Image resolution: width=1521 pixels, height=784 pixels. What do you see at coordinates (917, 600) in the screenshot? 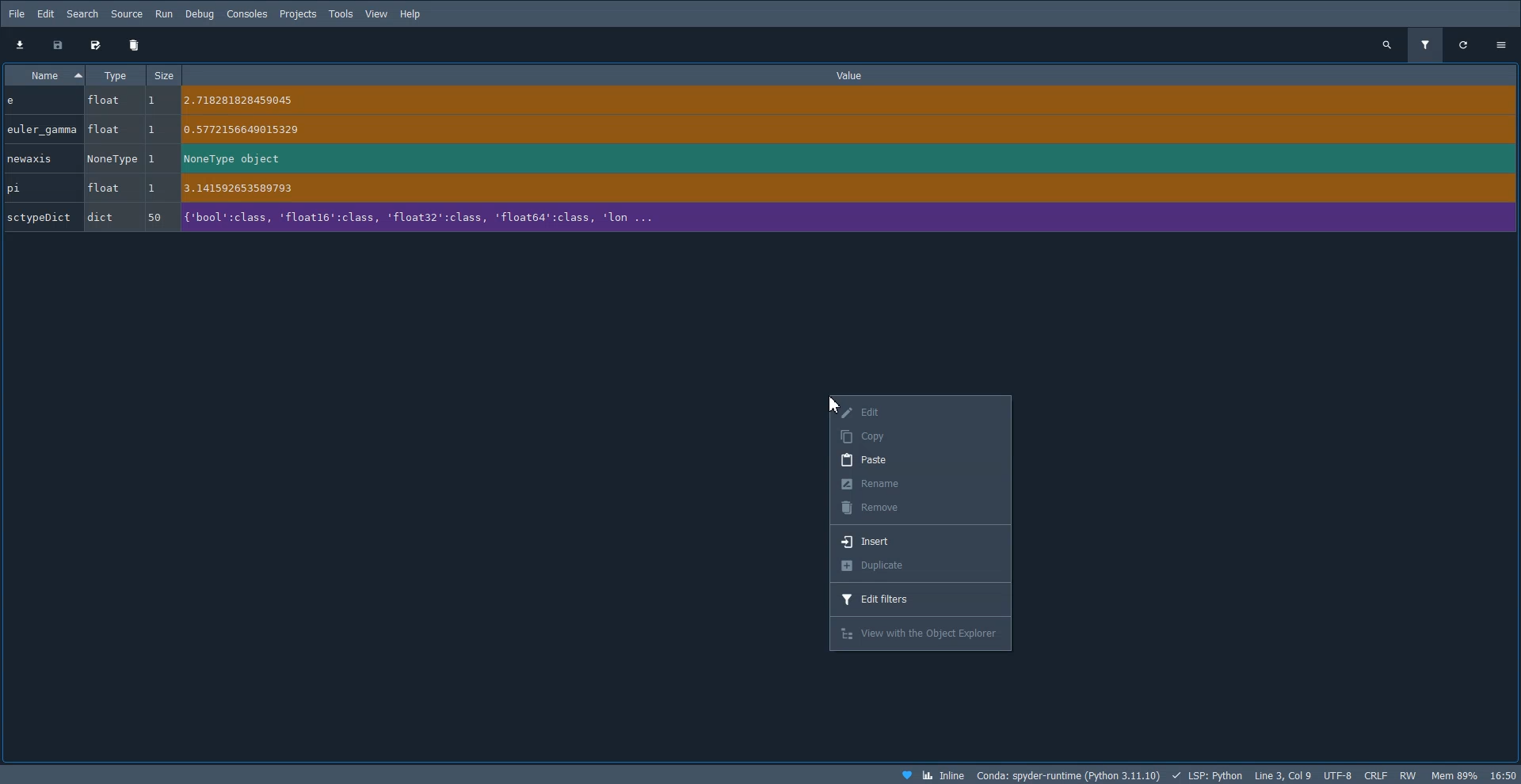
I see `Edit filters` at bounding box center [917, 600].